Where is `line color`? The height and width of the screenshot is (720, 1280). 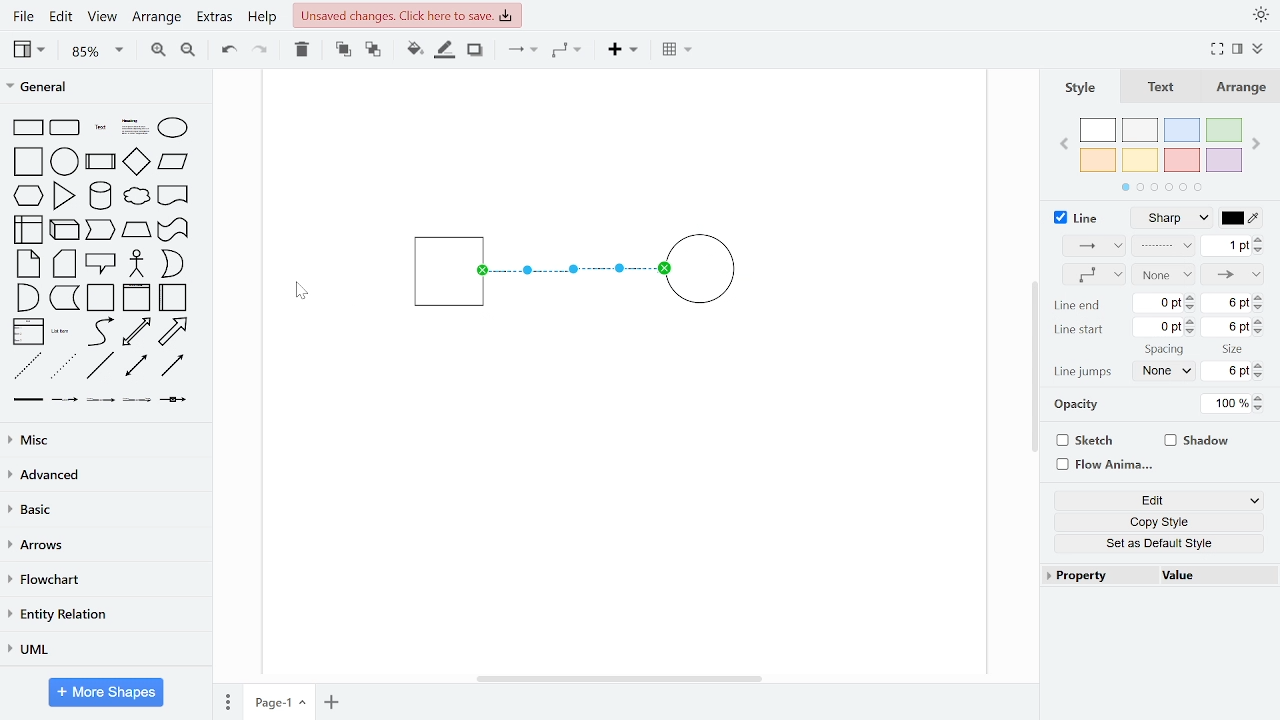
line color is located at coordinates (1241, 218).